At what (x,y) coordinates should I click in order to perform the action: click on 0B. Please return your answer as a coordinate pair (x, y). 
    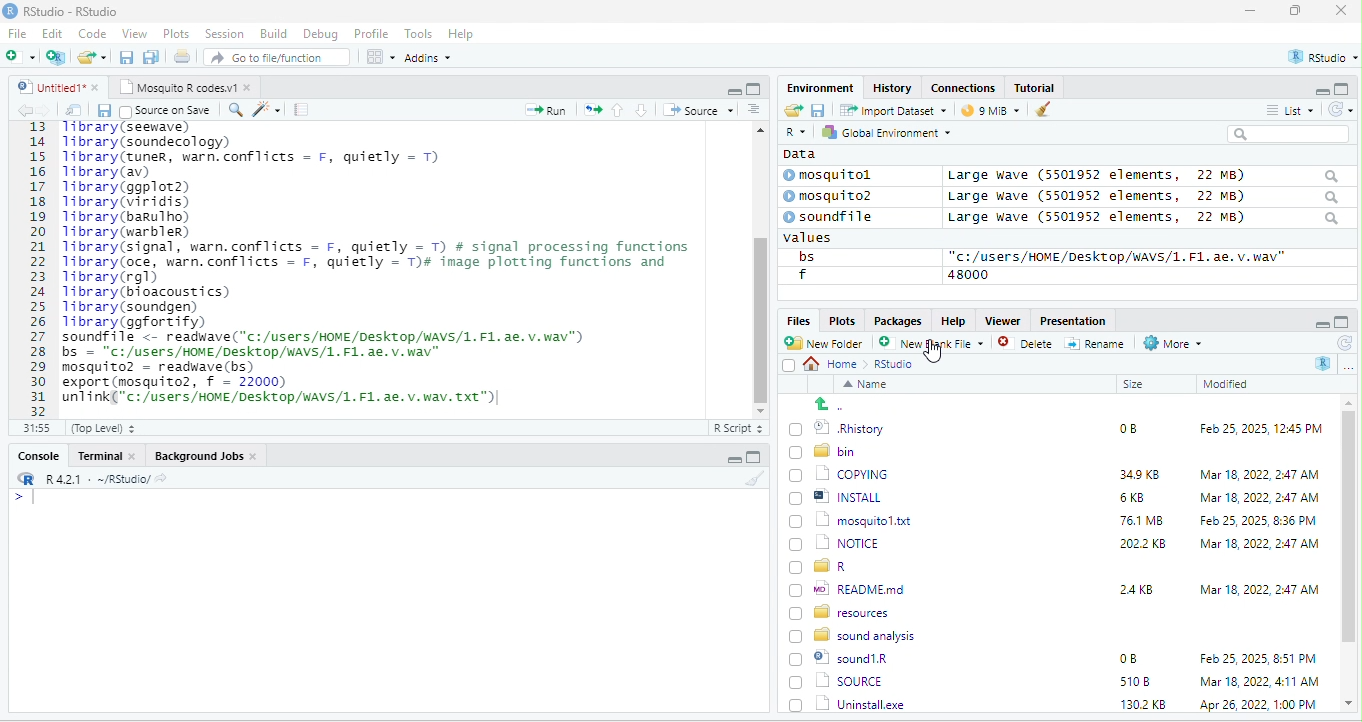
    Looking at the image, I should click on (1121, 426).